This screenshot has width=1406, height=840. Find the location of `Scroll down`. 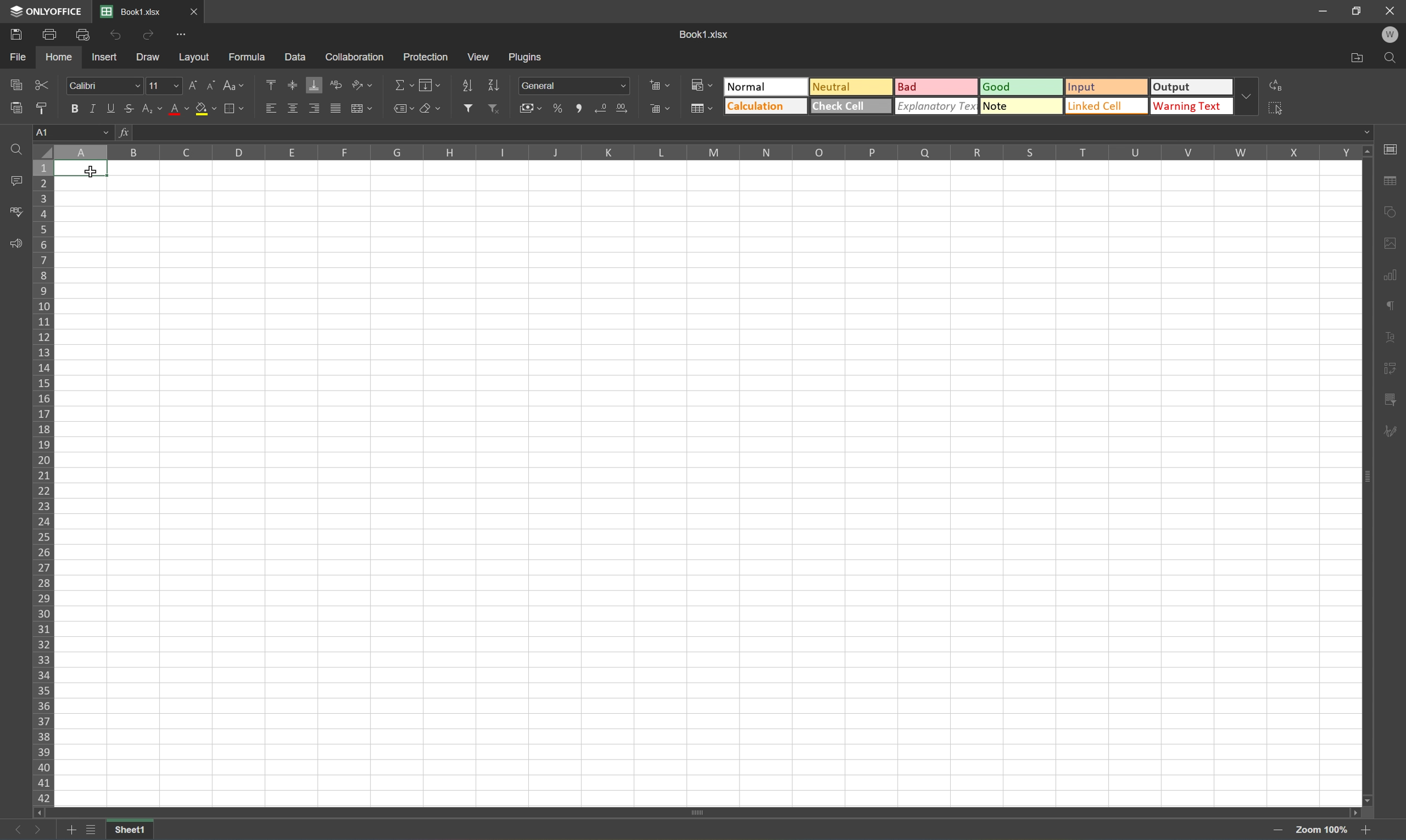

Scroll down is located at coordinates (1369, 800).